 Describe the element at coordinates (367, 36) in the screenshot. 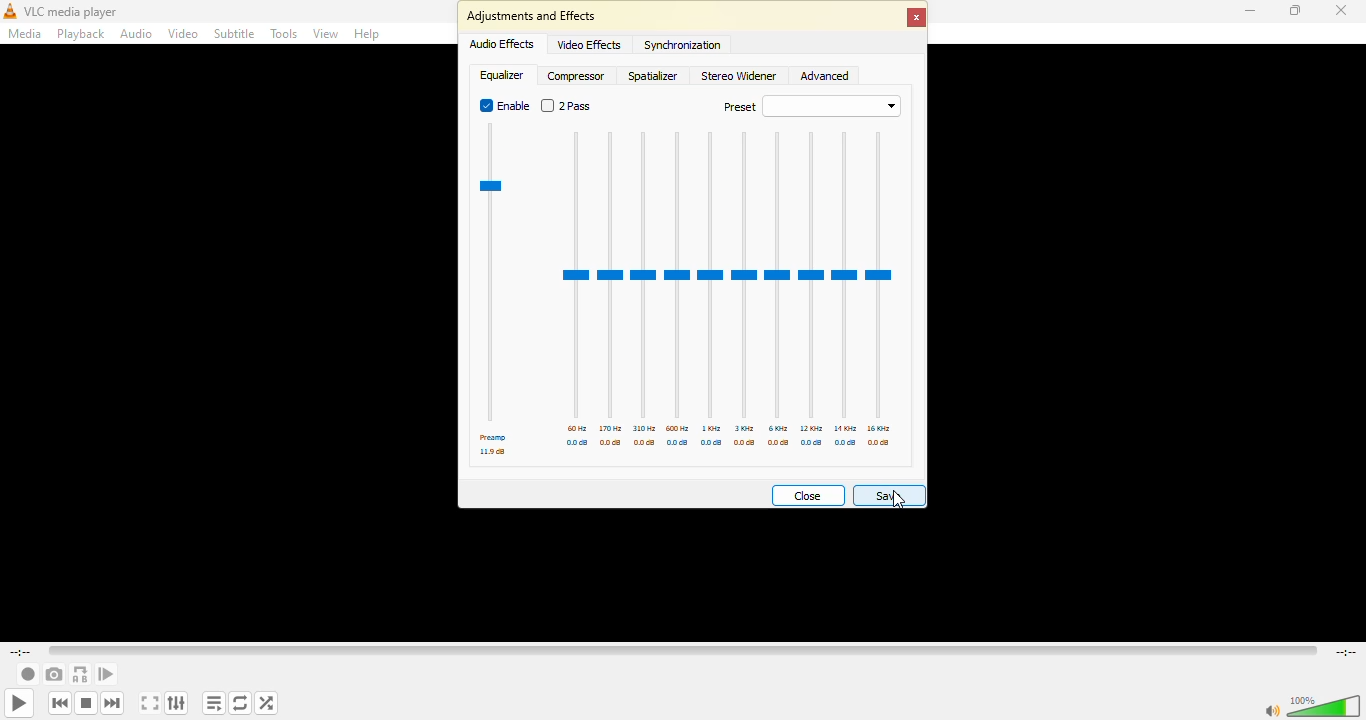

I see `help` at that location.